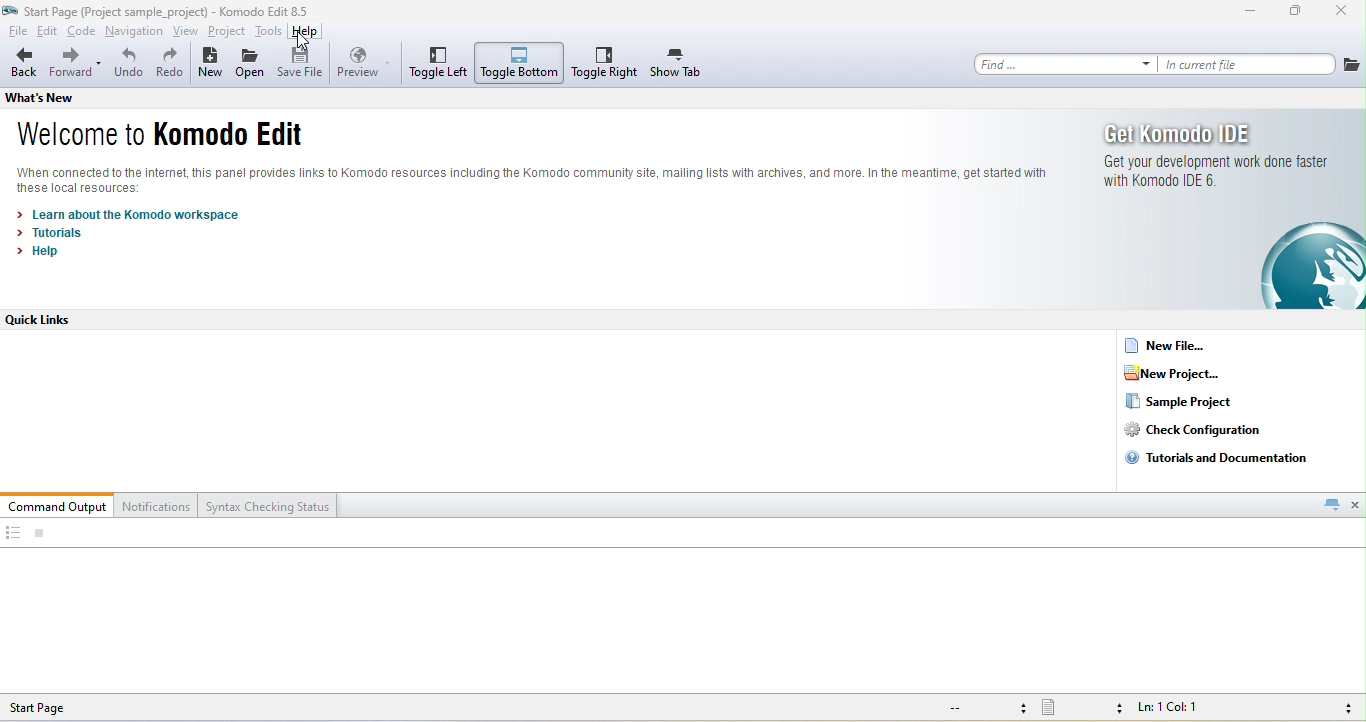  What do you see at coordinates (677, 64) in the screenshot?
I see `show tab` at bounding box center [677, 64].